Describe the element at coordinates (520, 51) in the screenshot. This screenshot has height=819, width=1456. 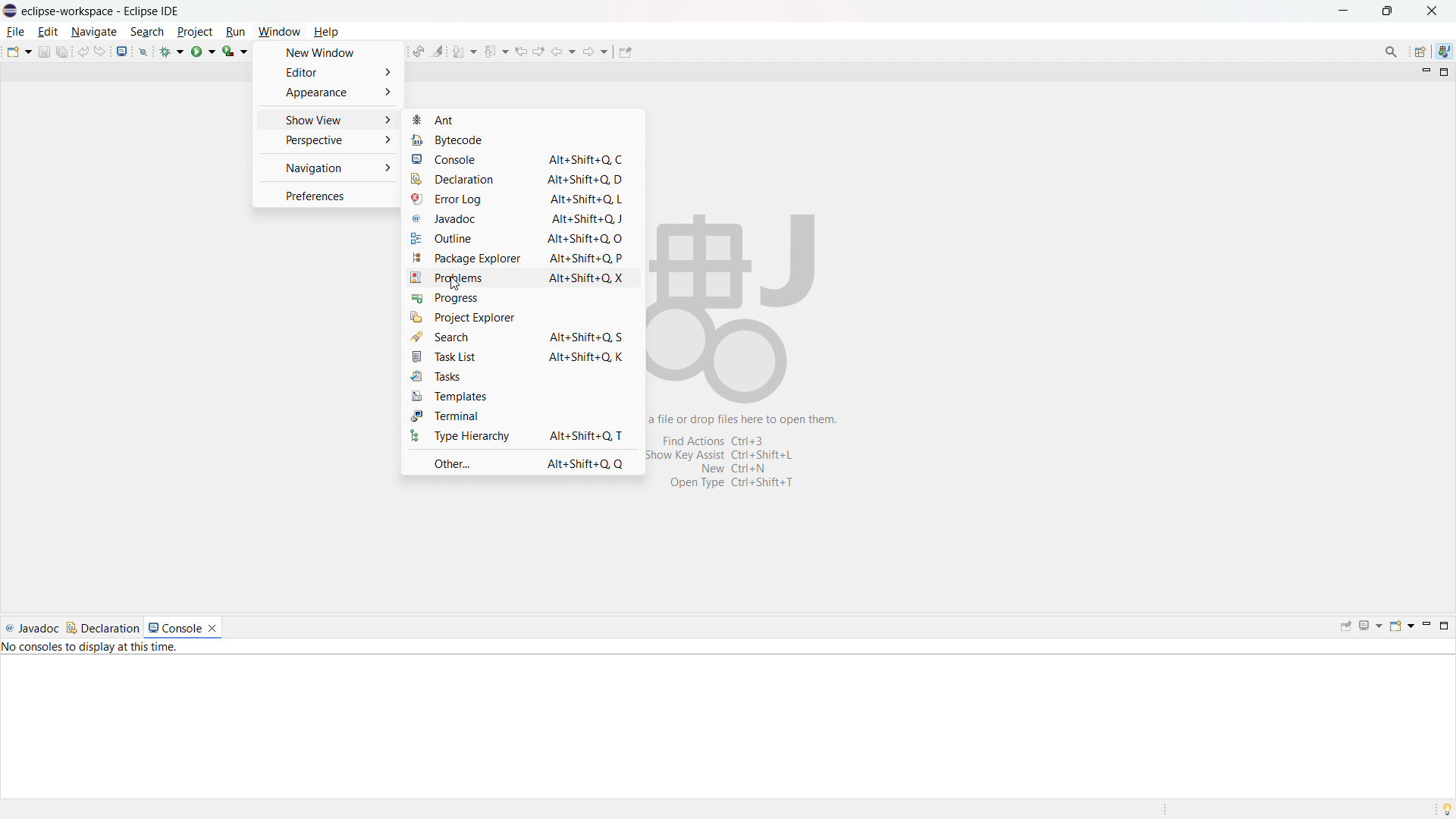
I see `view previous location` at that location.